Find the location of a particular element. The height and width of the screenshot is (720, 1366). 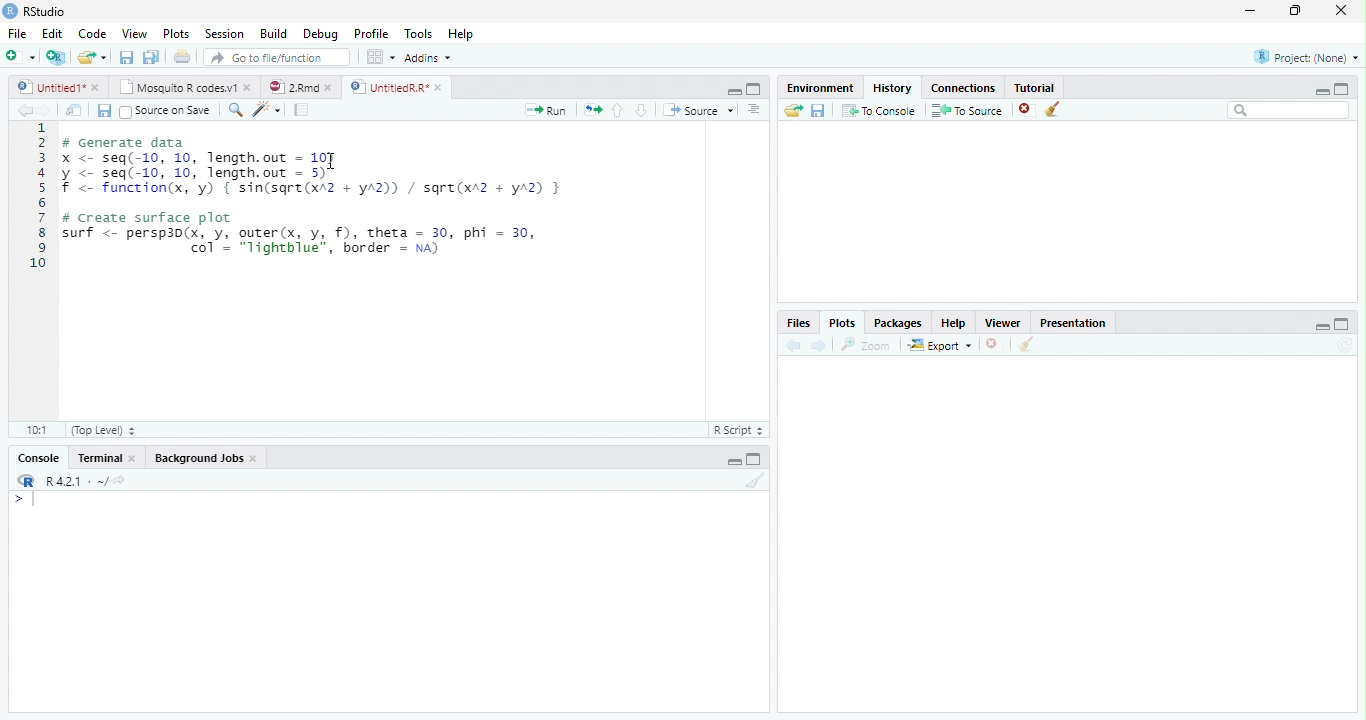

Tutorial is located at coordinates (1034, 86).